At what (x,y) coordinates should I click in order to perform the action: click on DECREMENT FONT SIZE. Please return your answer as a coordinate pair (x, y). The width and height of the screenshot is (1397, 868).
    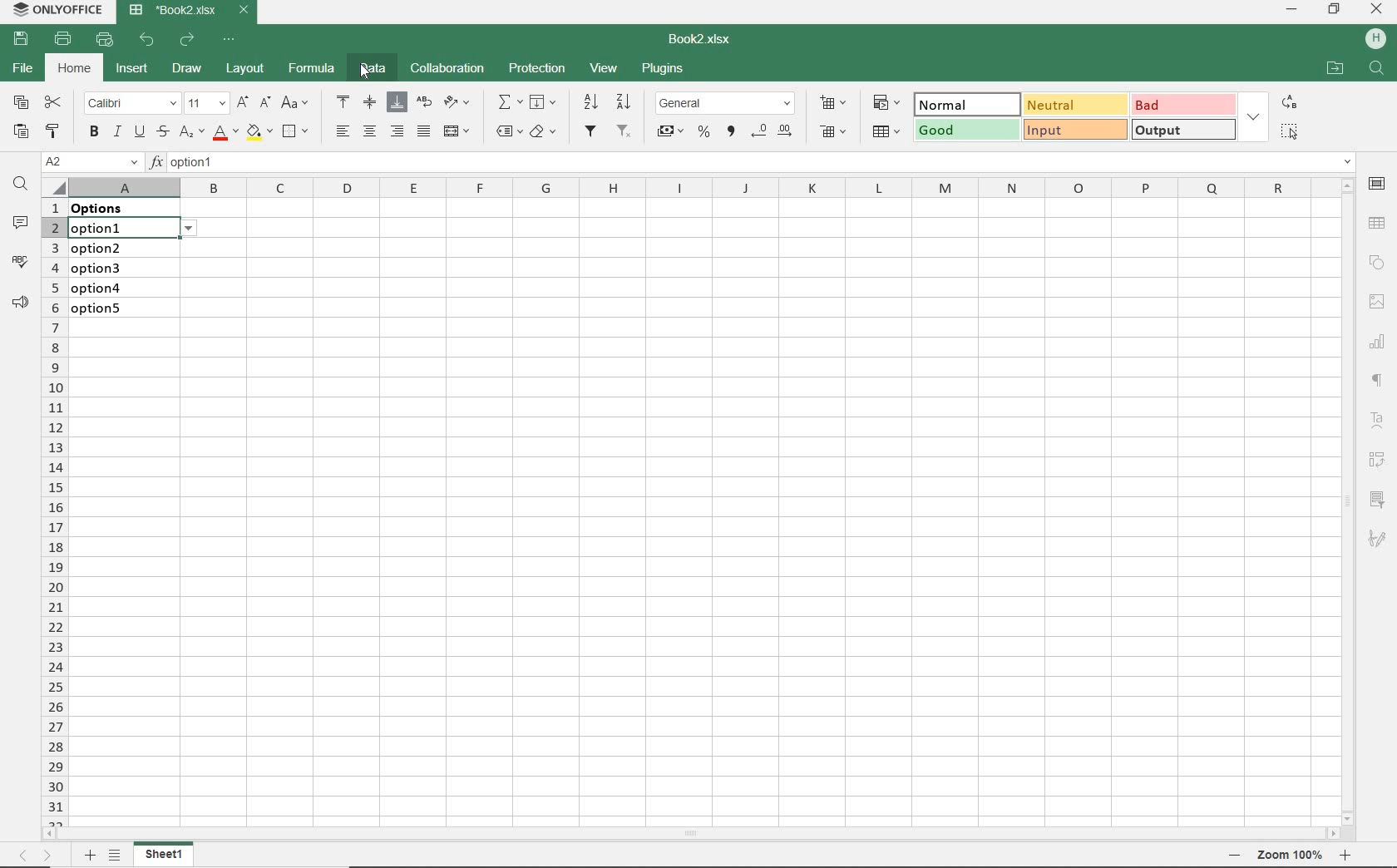
    Looking at the image, I should click on (264, 104).